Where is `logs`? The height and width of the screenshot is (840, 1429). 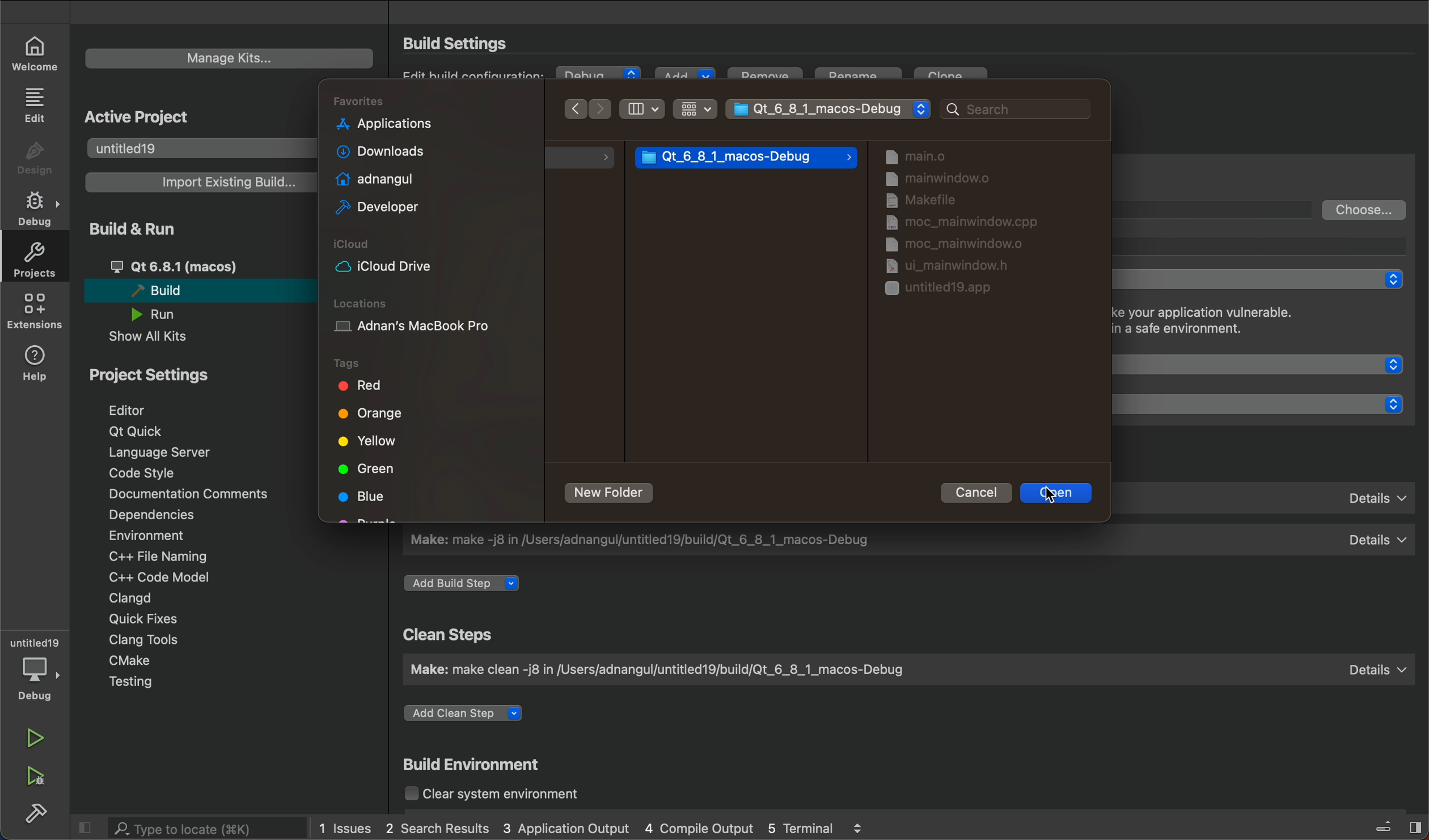 logs is located at coordinates (591, 829).